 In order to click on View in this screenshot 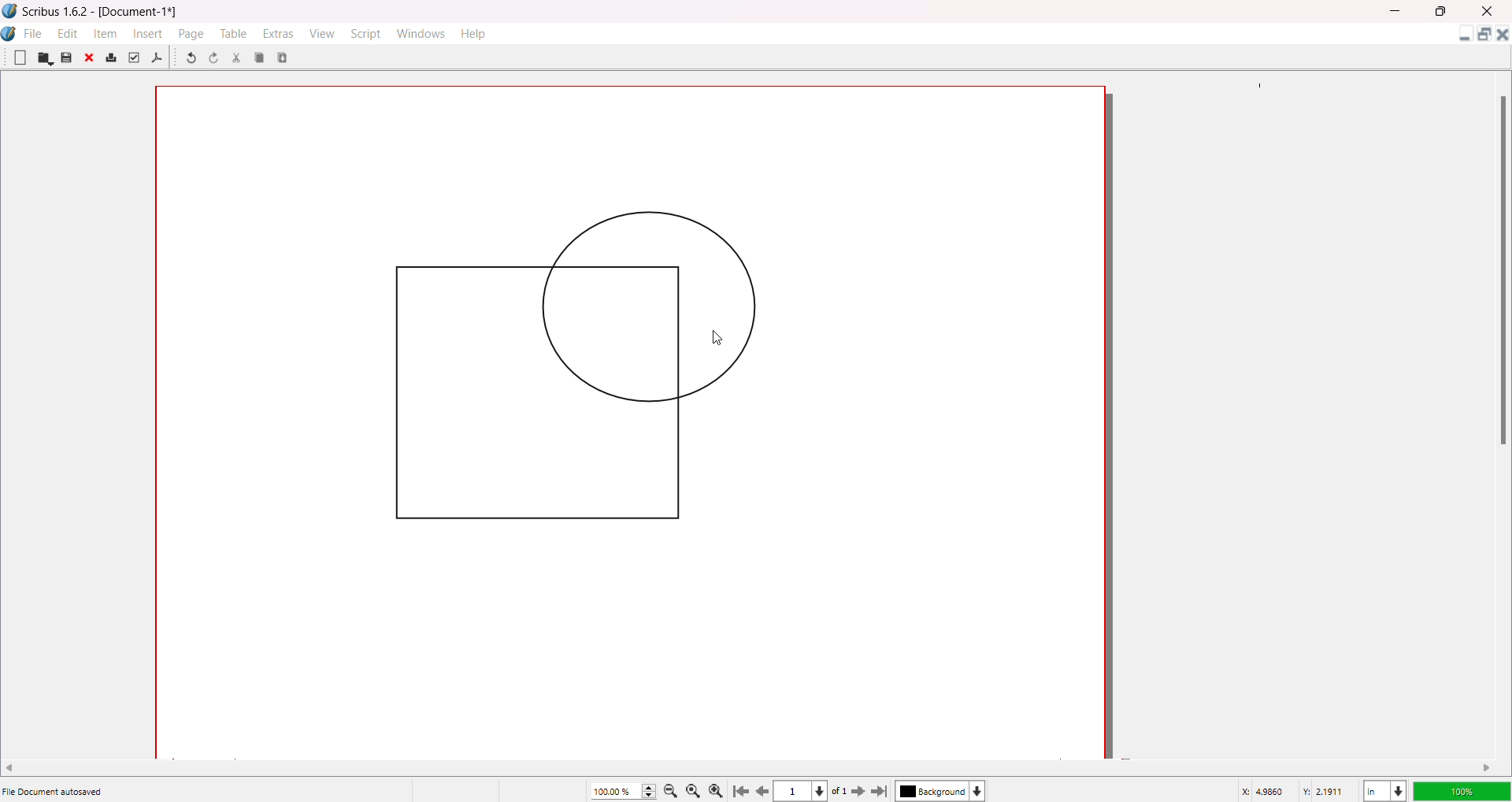, I will do `click(321, 32)`.